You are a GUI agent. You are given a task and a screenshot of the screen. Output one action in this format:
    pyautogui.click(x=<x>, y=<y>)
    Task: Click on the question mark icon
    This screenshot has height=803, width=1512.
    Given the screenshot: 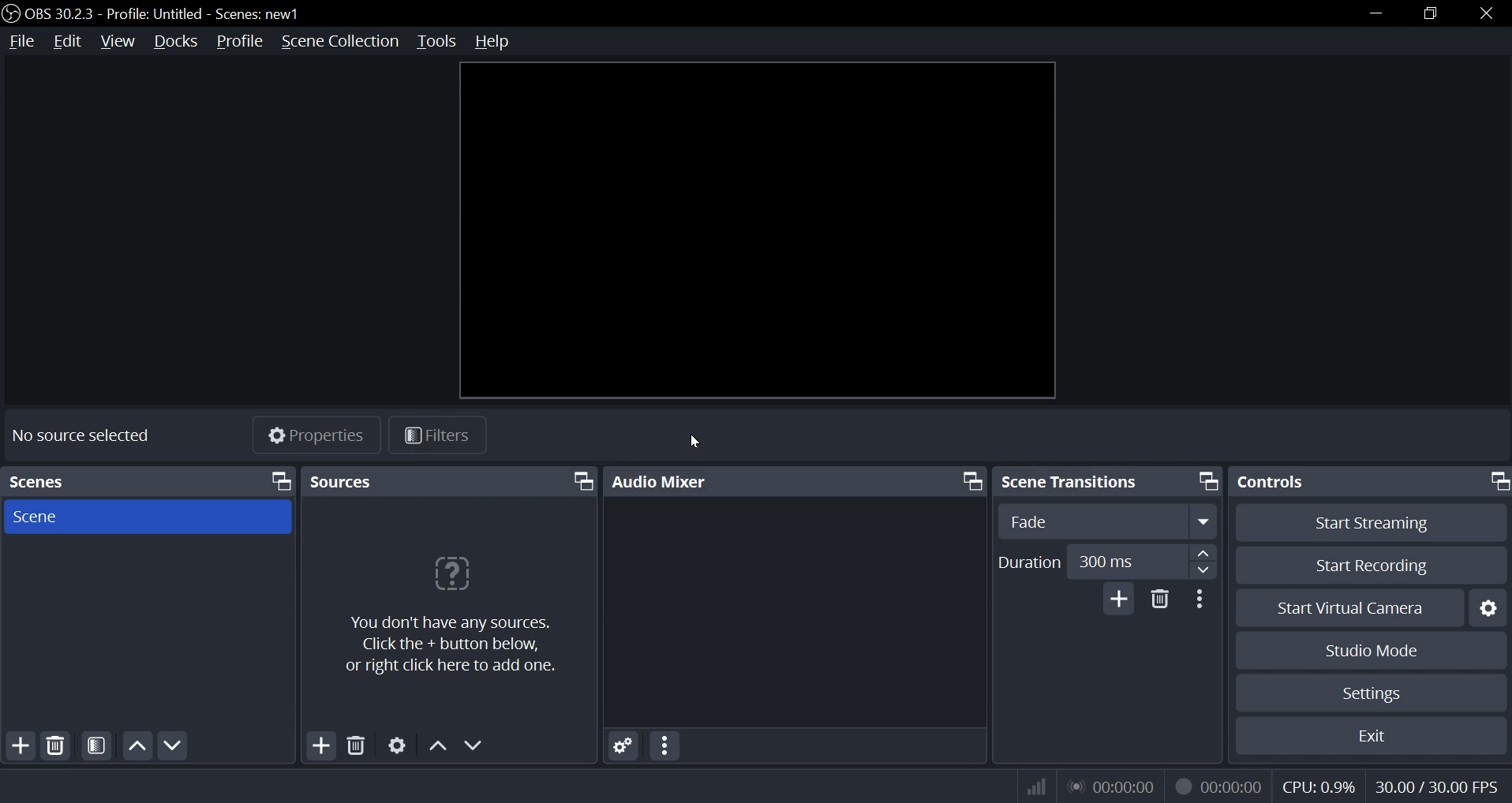 What is the action you would take?
    pyautogui.click(x=451, y=576)
    